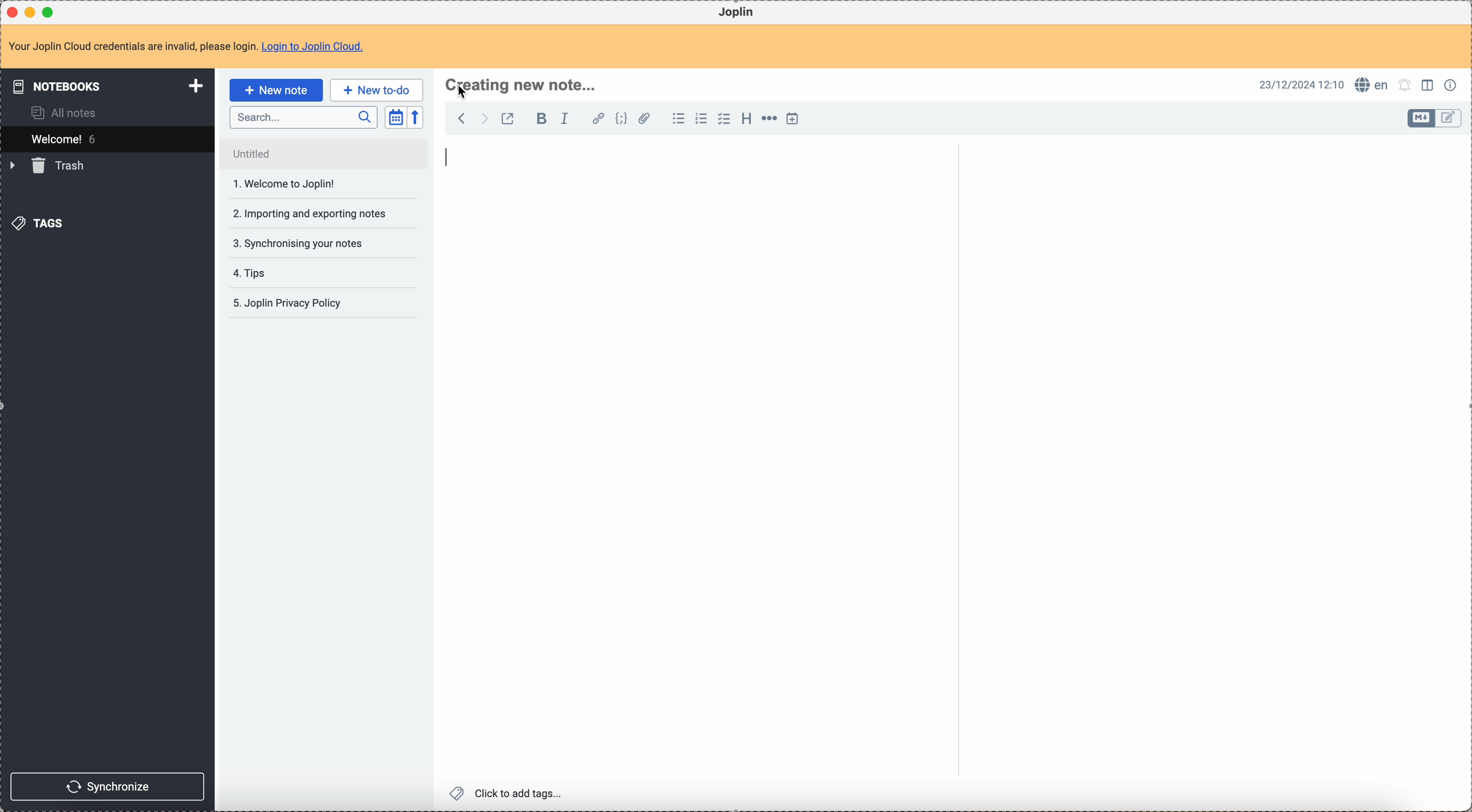 Image resolution: width=1472 pixels, height=812 pixels. Describe the element at coordinates (621, 119) in the screenshot. I see `code` at that location.